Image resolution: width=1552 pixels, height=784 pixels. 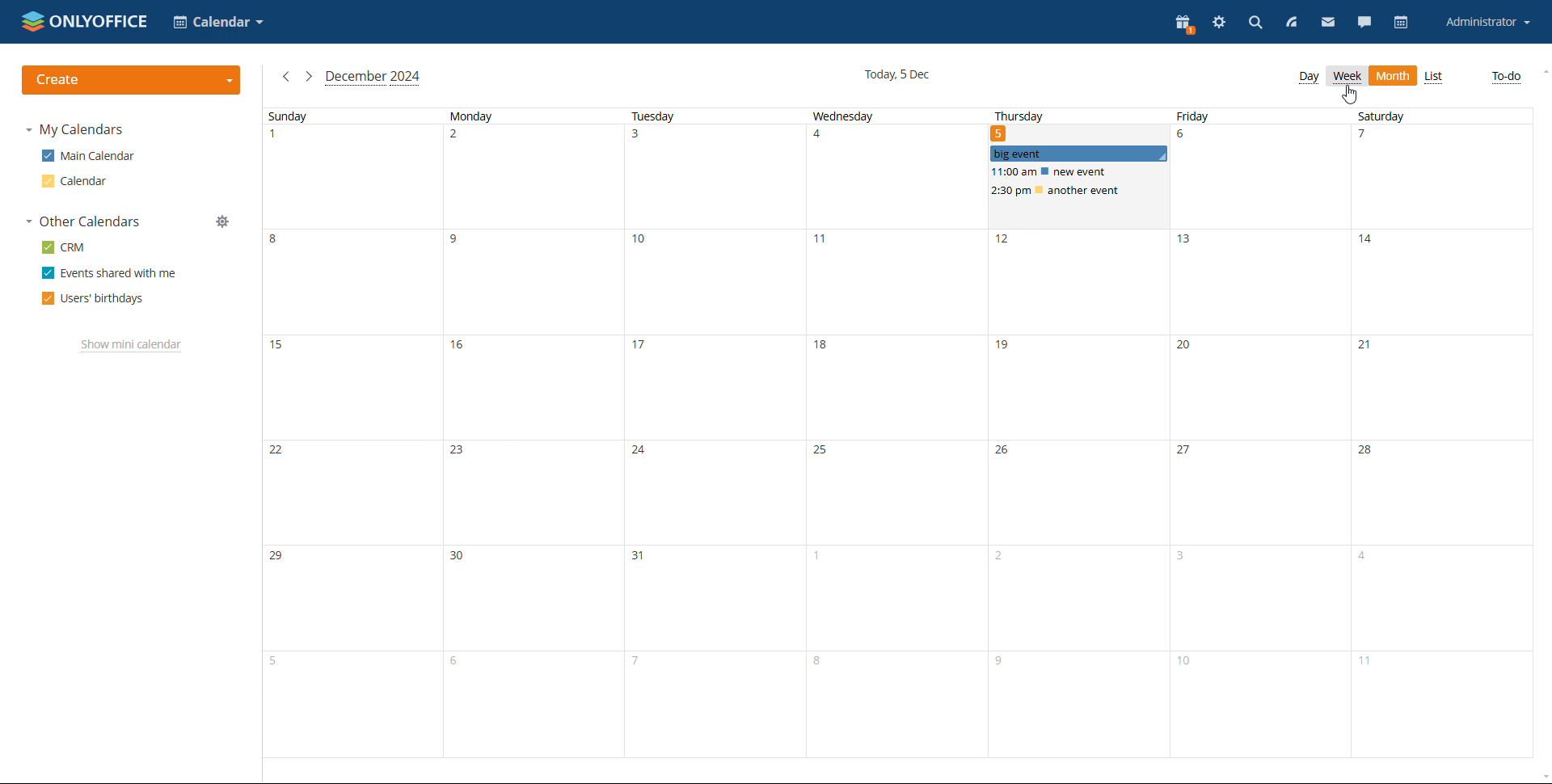 I want to click on monday, so click(x=529, y=433).